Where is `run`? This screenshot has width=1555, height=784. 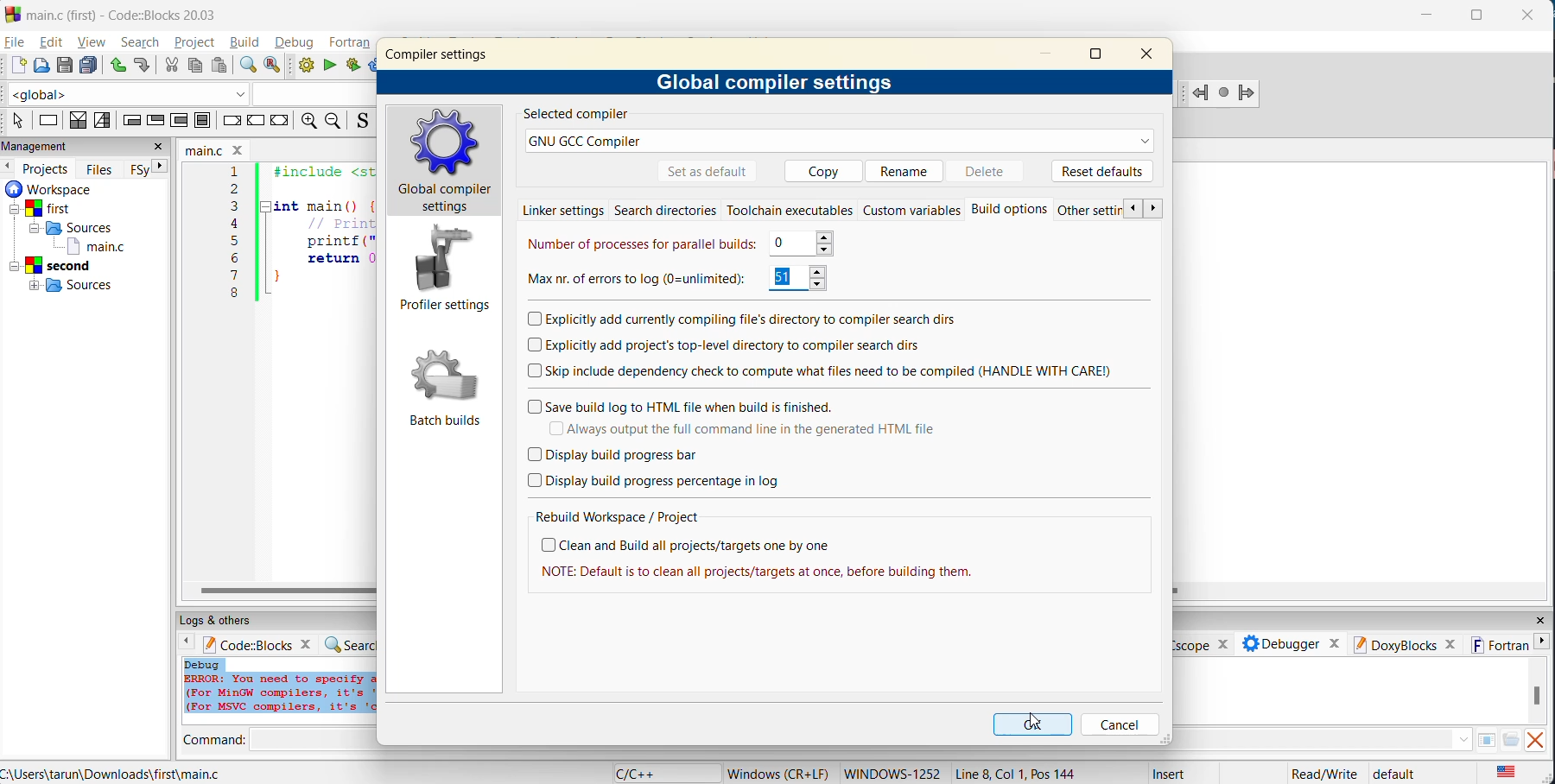 run is located at coordinates (331, 66).